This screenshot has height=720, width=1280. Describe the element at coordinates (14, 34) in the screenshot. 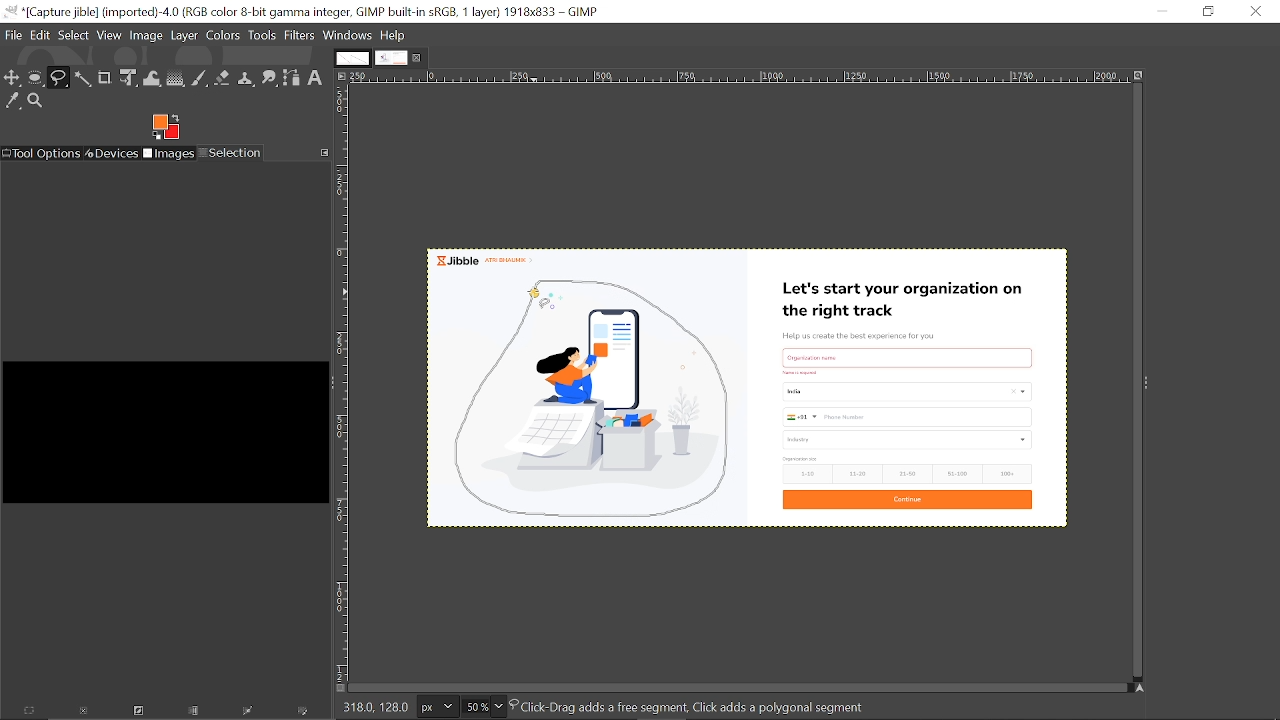

I see `File` at that location.